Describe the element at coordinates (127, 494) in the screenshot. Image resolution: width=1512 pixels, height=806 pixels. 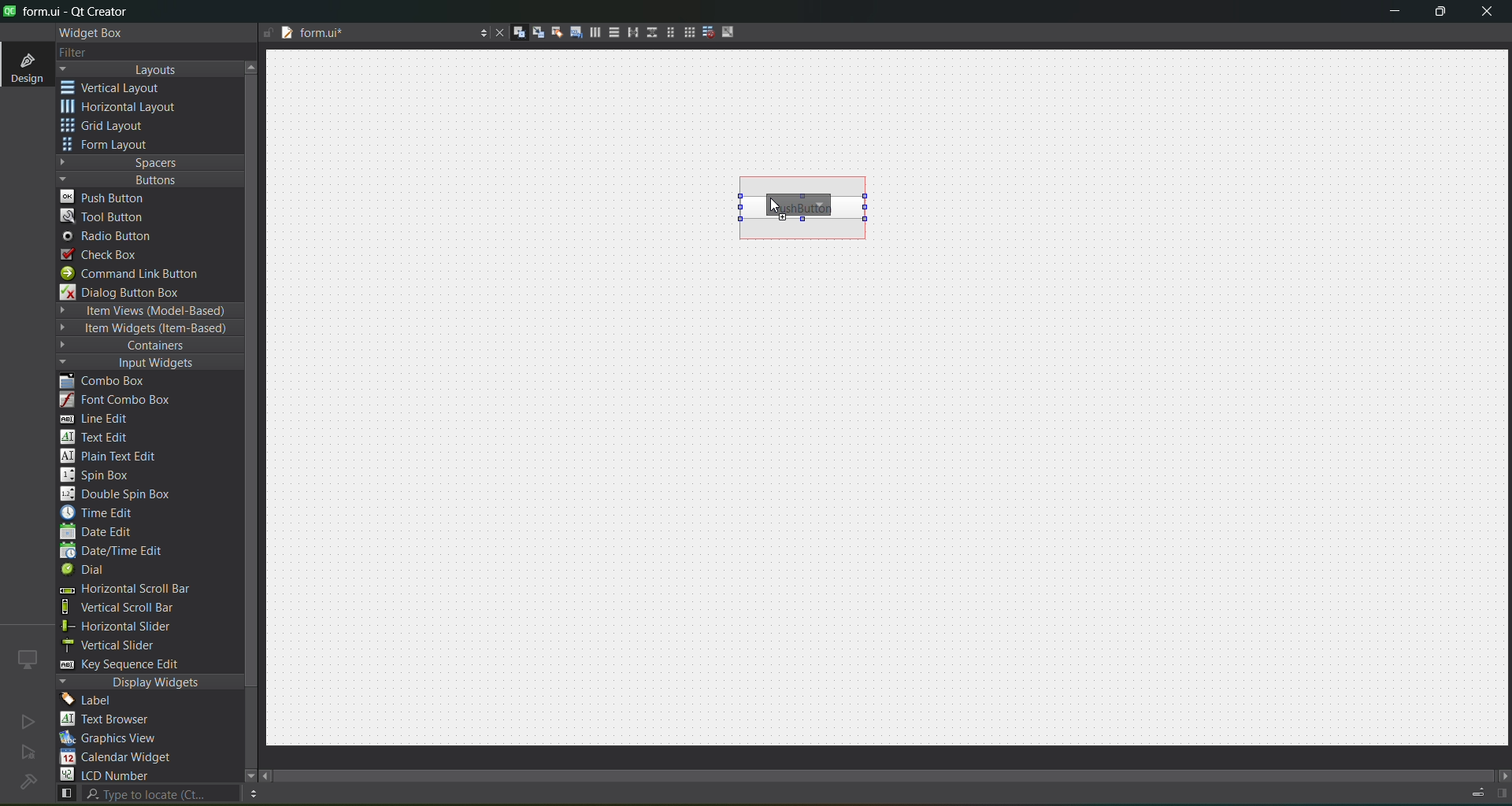
I see `double spin box` at that location.